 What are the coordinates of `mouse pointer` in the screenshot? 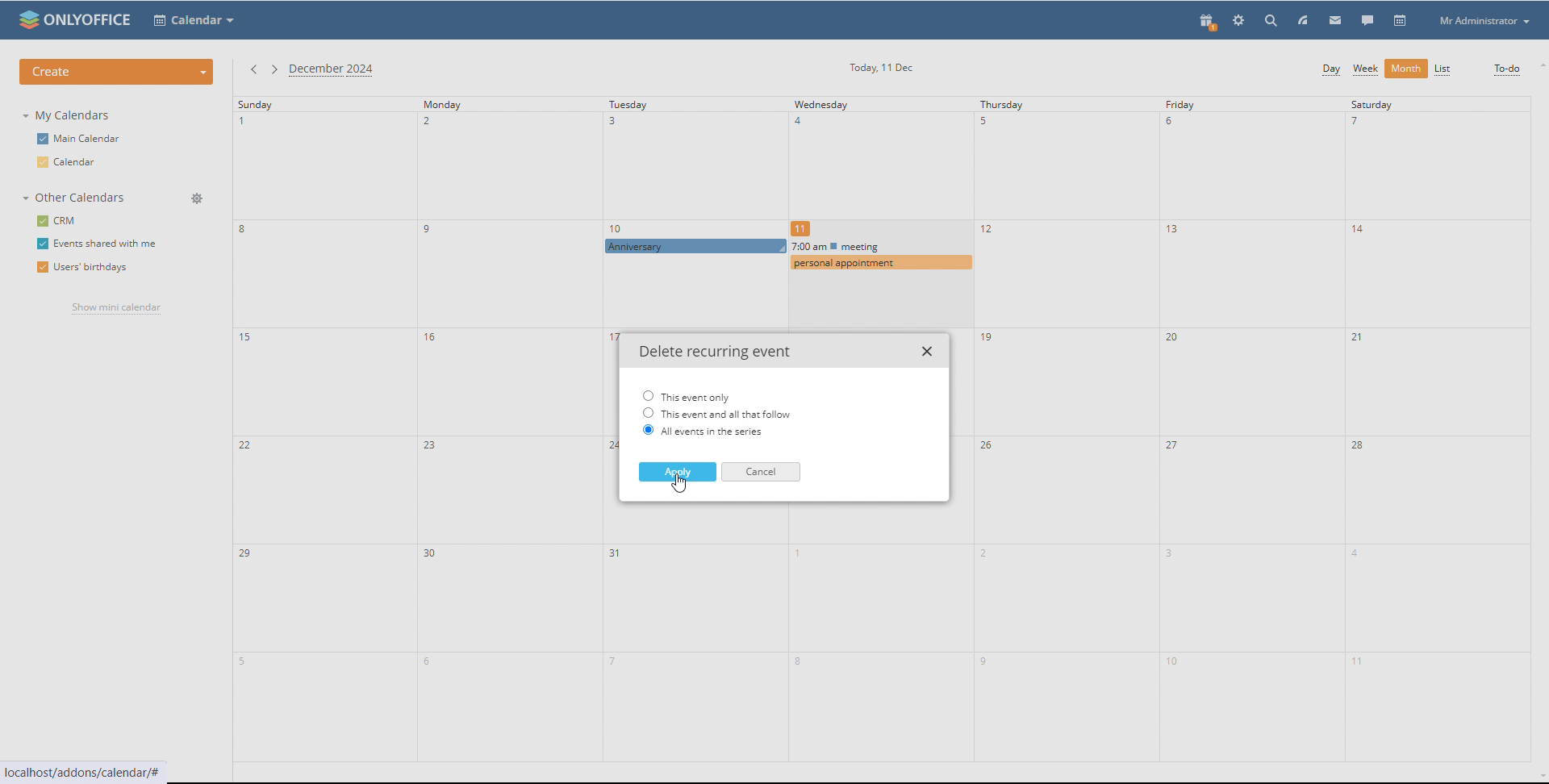 It's located at (680, 486).